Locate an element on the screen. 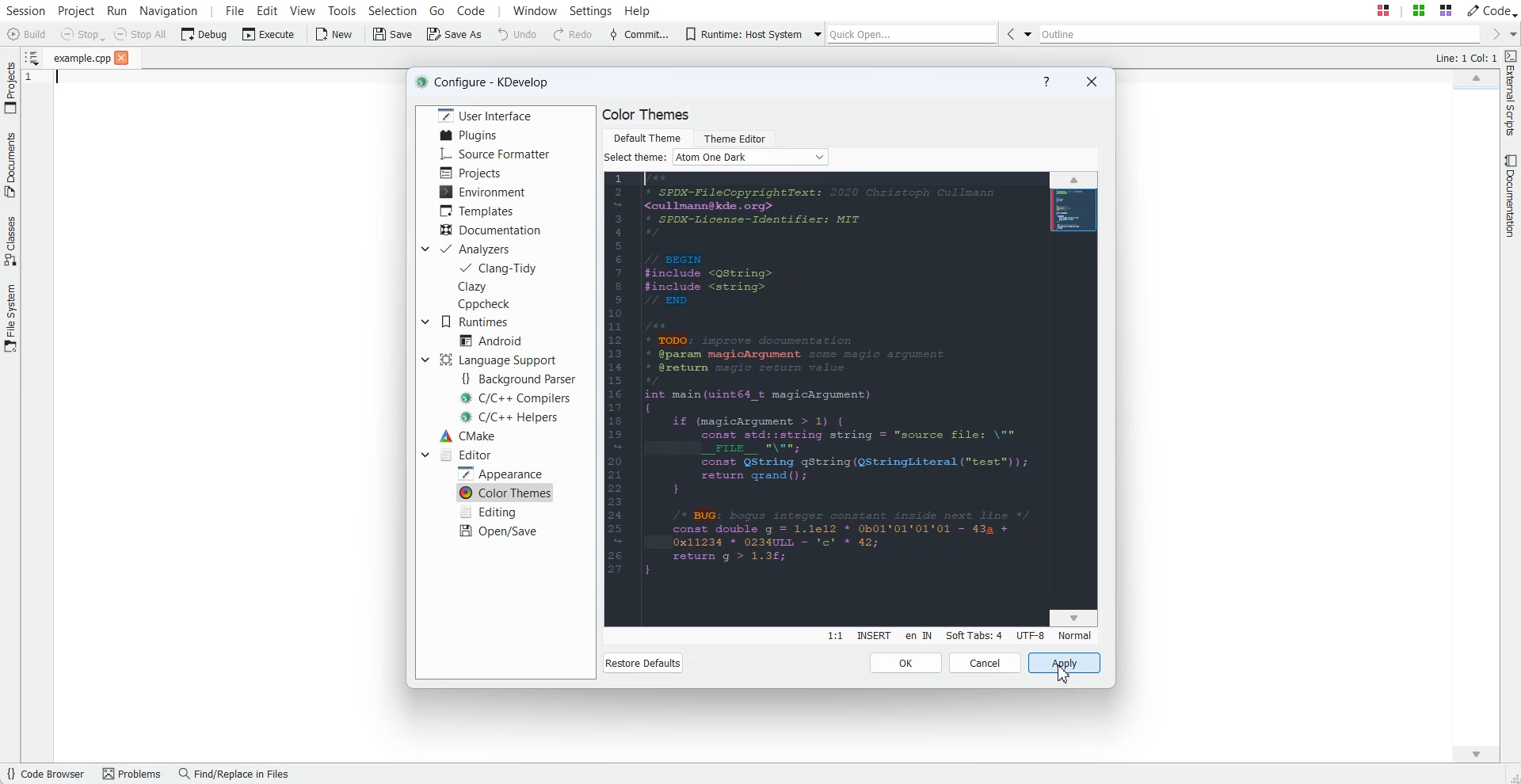 This screenshot has height=784, width=1521. Runtime: Host System is located at coordinates (739, 34).